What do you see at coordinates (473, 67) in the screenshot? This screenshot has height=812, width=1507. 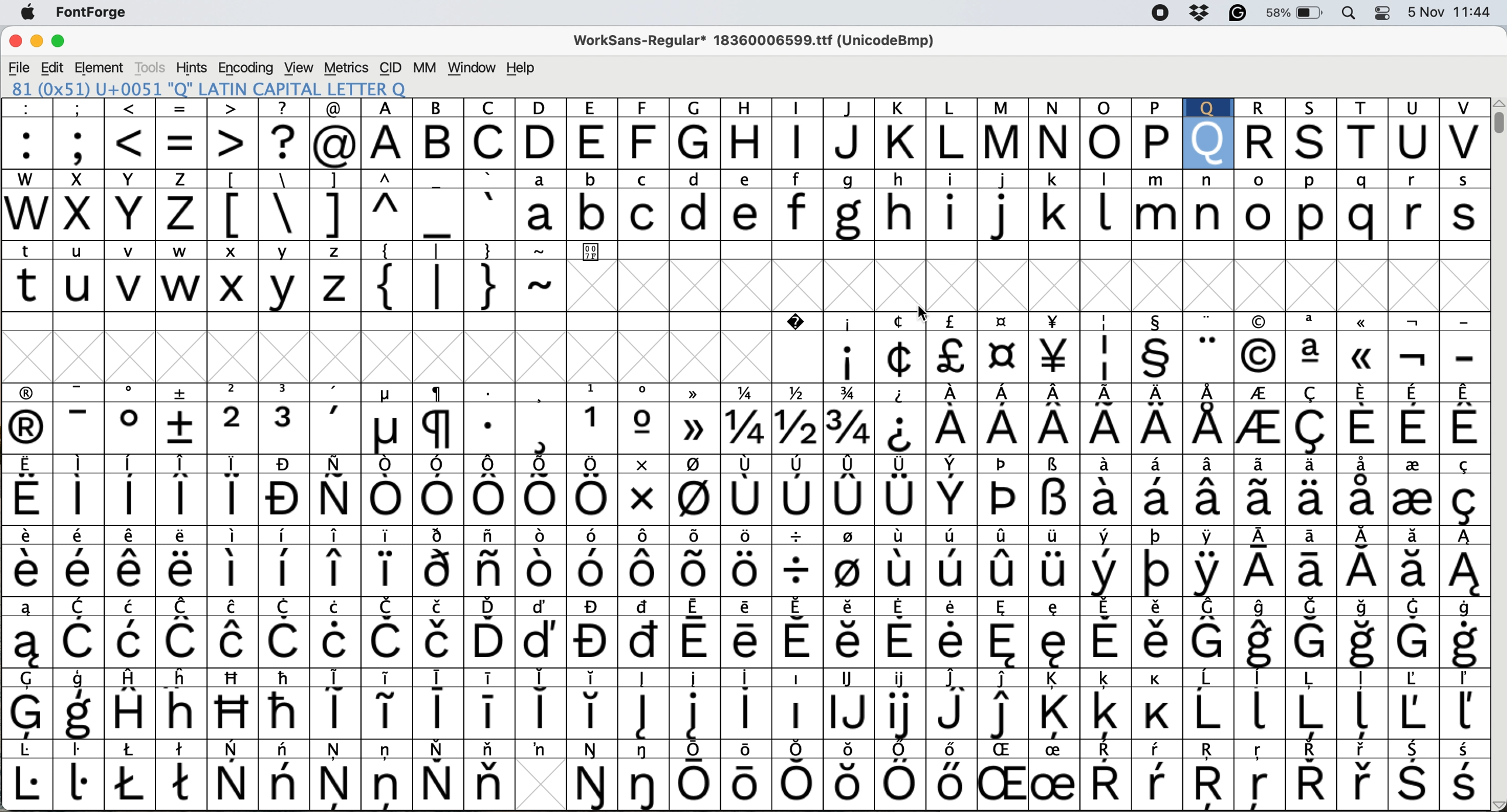 I see `window` at bounding box center [473, 67].